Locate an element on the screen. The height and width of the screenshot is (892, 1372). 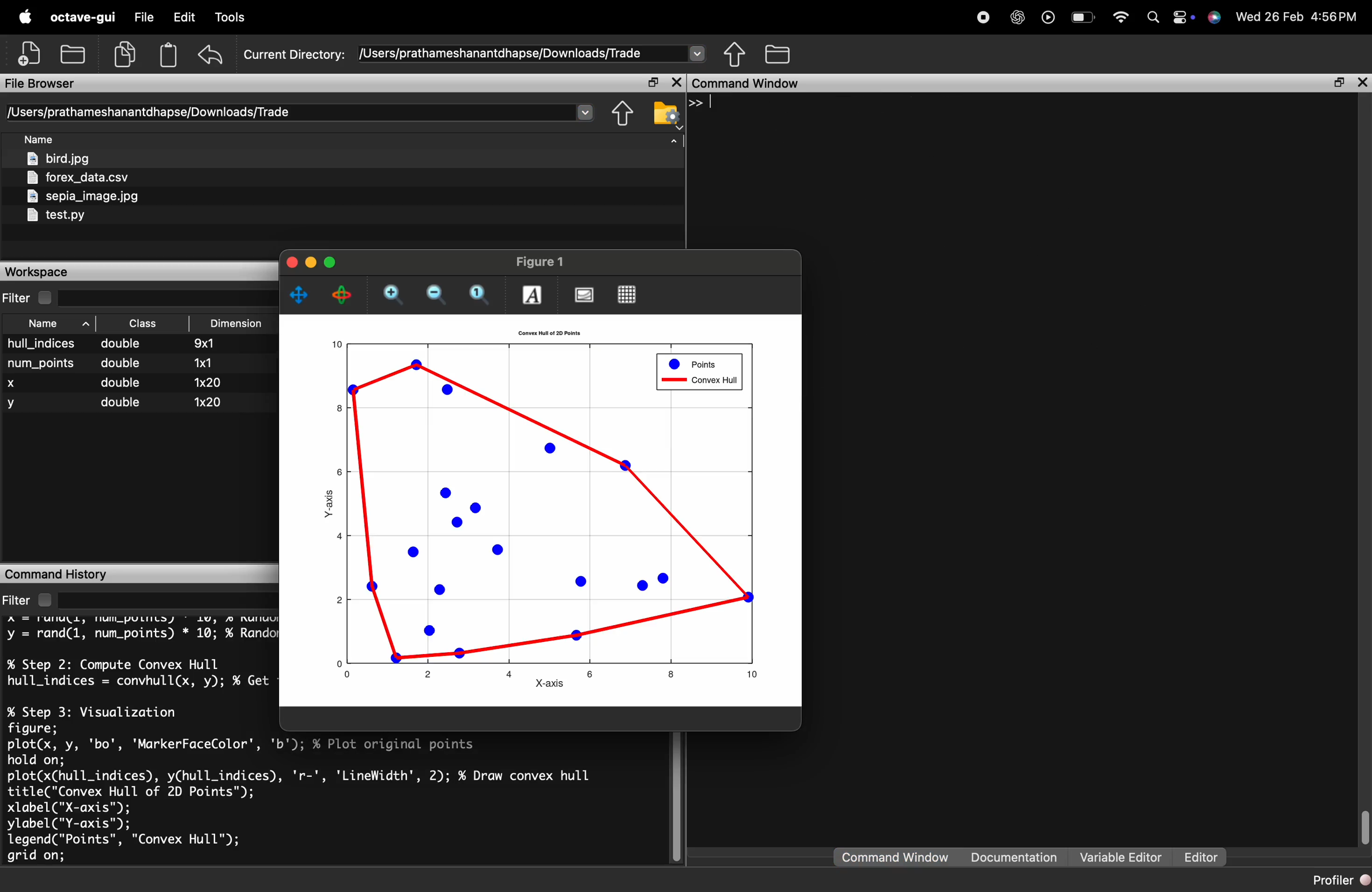
test.py is located at coordinates (56, 216).